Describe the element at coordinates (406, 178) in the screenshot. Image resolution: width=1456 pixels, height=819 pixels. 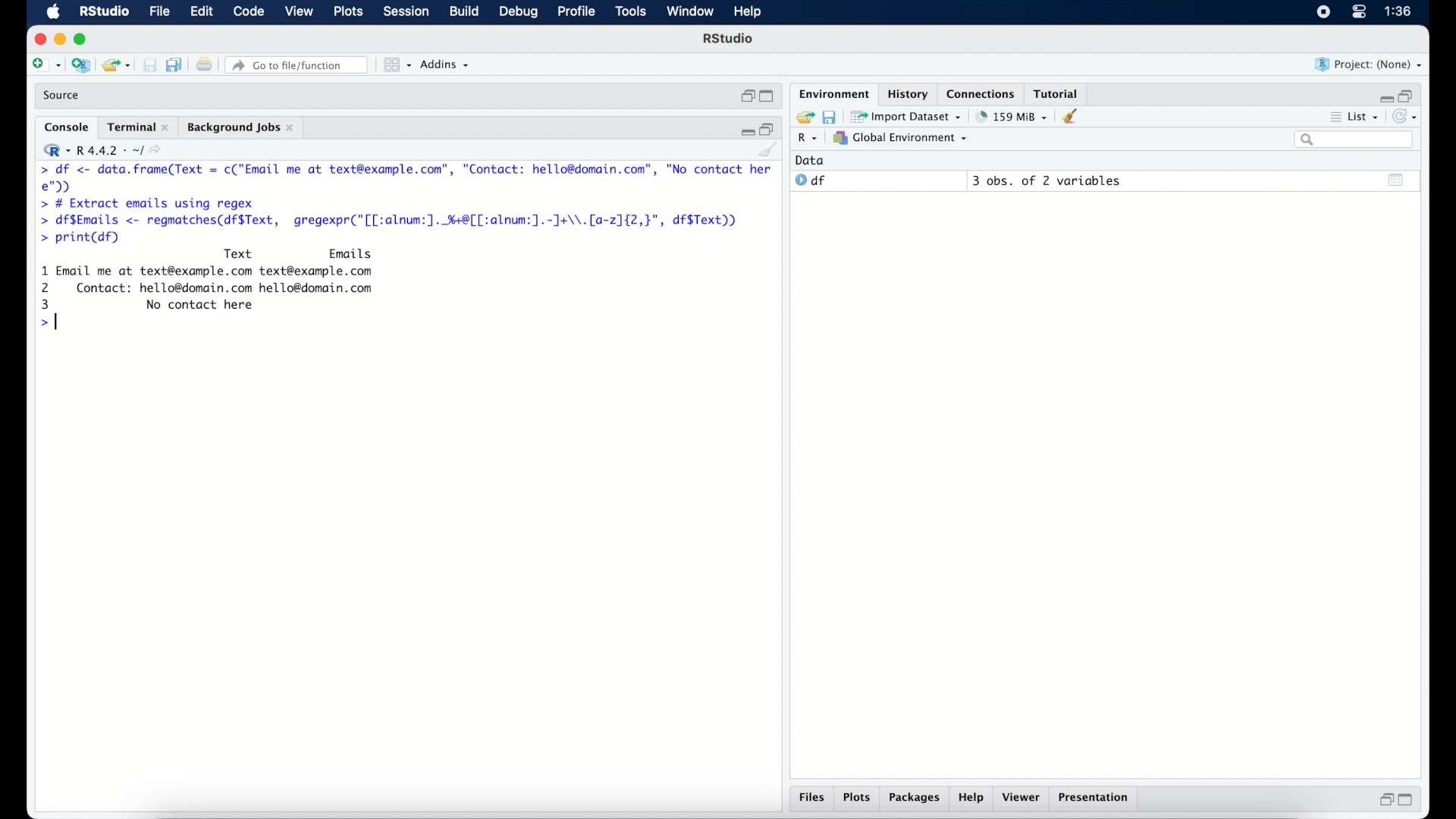
I see `> df <- Se renee = c("Email me at text@example.com”, "Contact: hello@domain.com”, "No contact
here");` at that location.